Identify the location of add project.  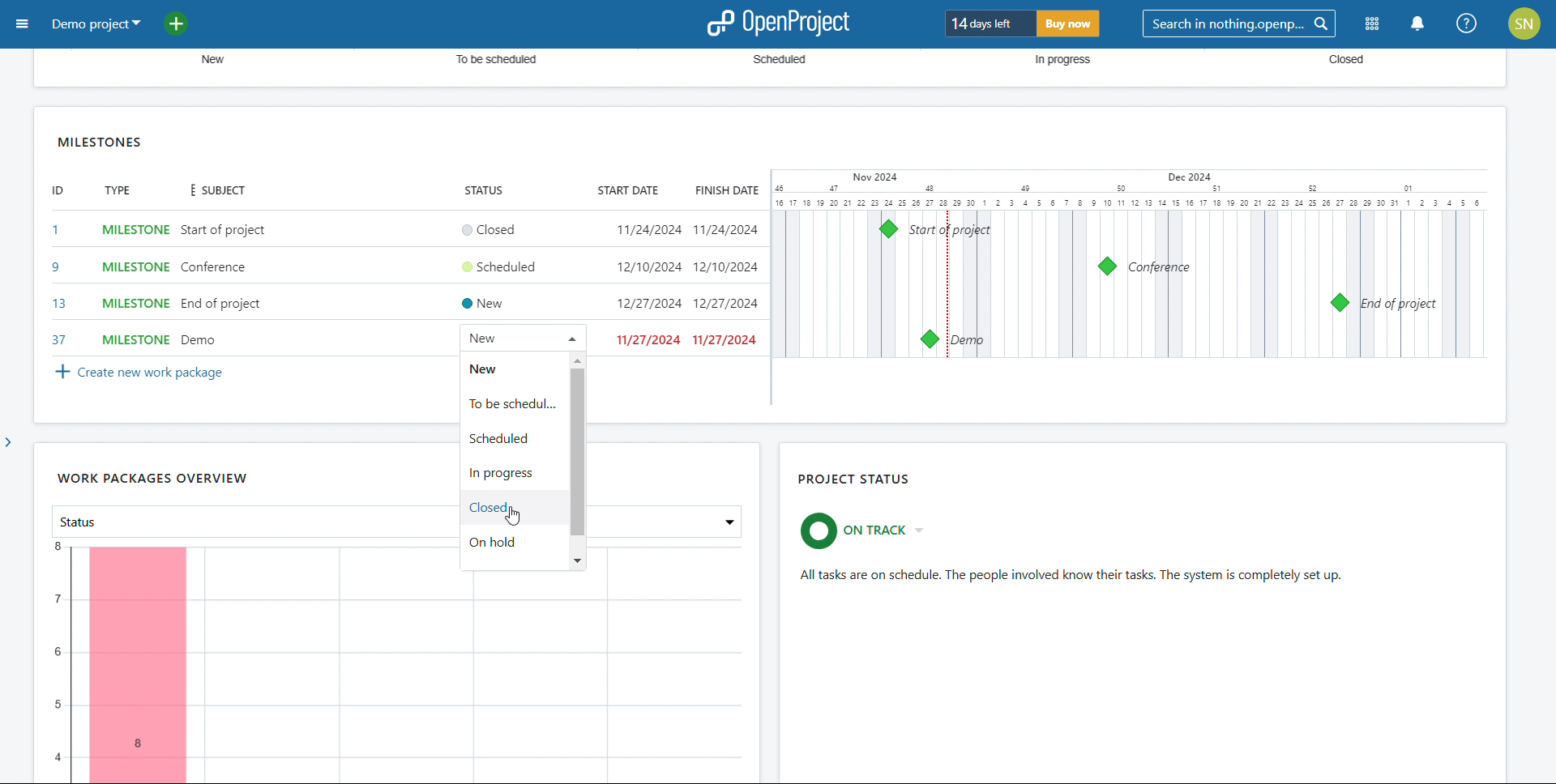
(186, 23).